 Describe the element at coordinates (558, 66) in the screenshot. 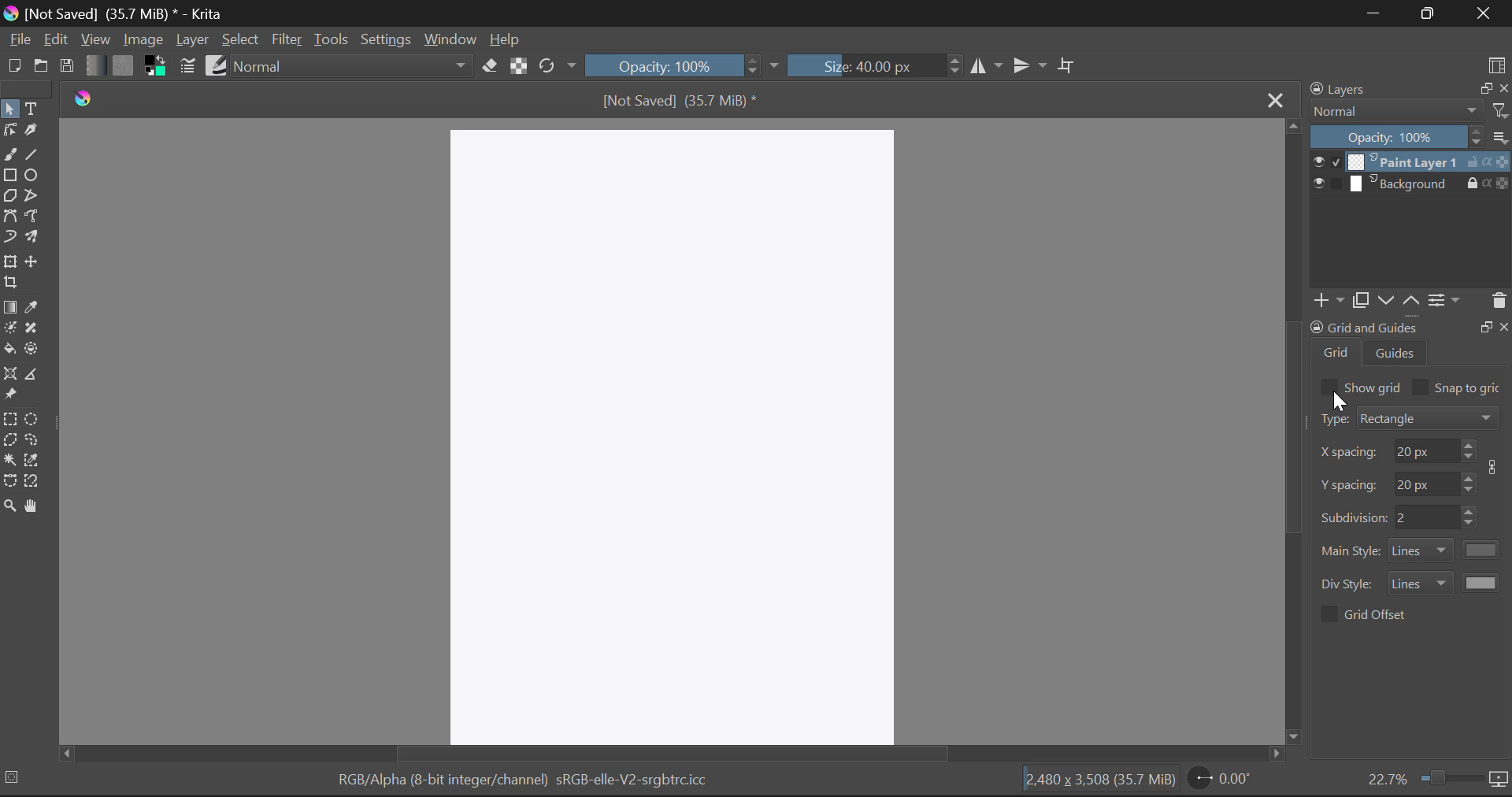

I see `Rotate` at that location.